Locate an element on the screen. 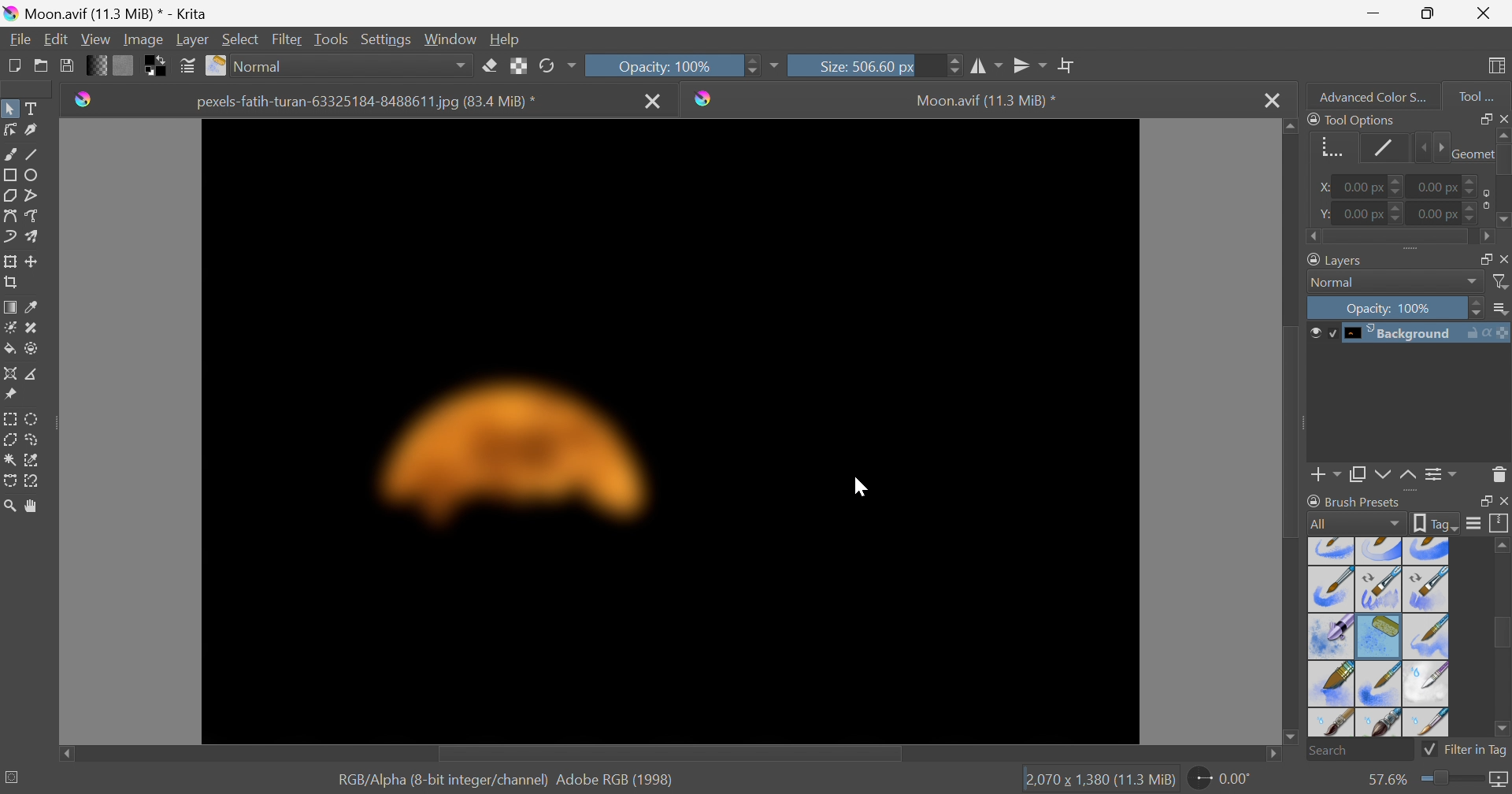  0.00 px is located at coordinates (1369, 186).